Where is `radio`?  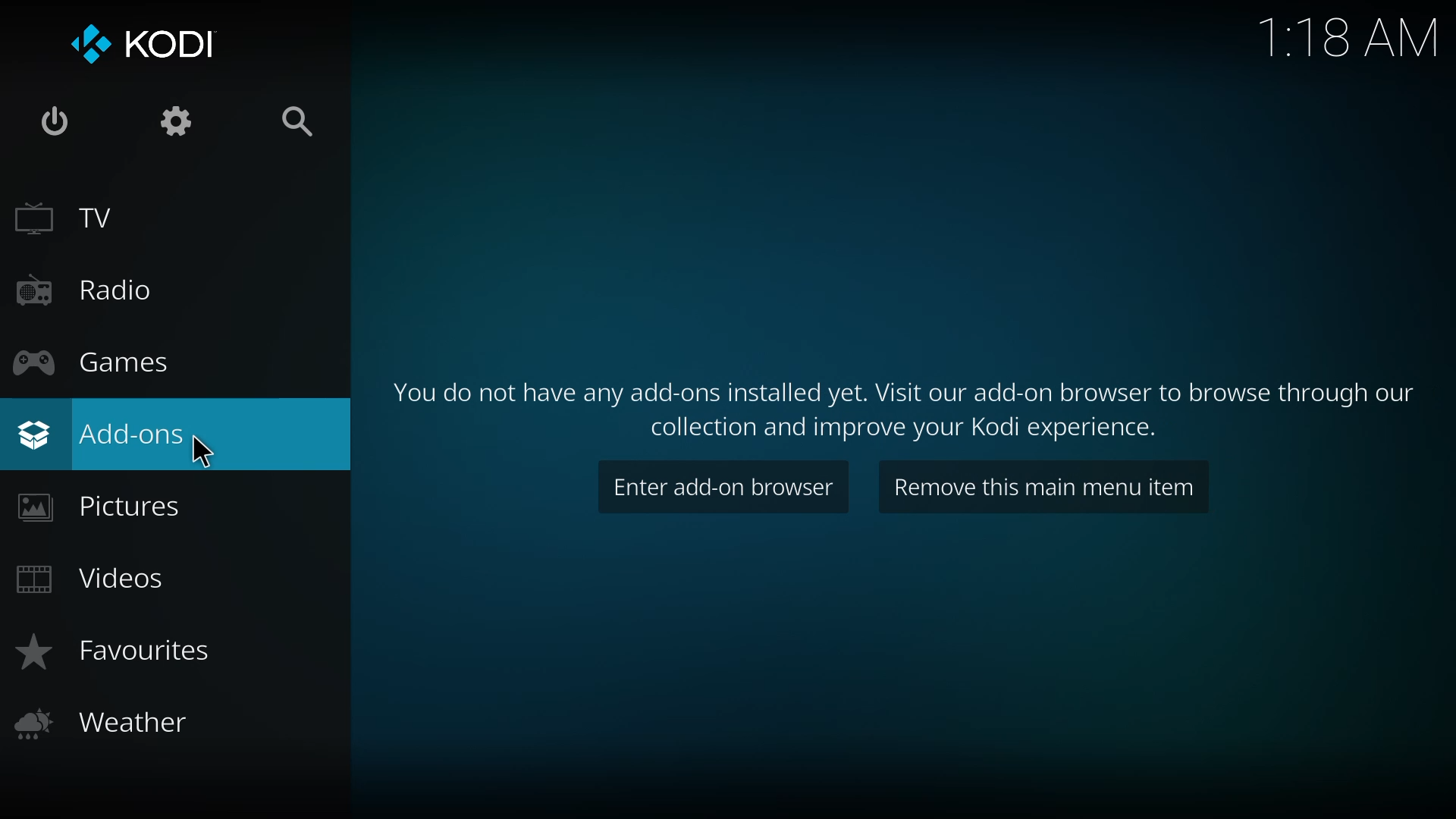
radio is located at coordinates (89, 293).